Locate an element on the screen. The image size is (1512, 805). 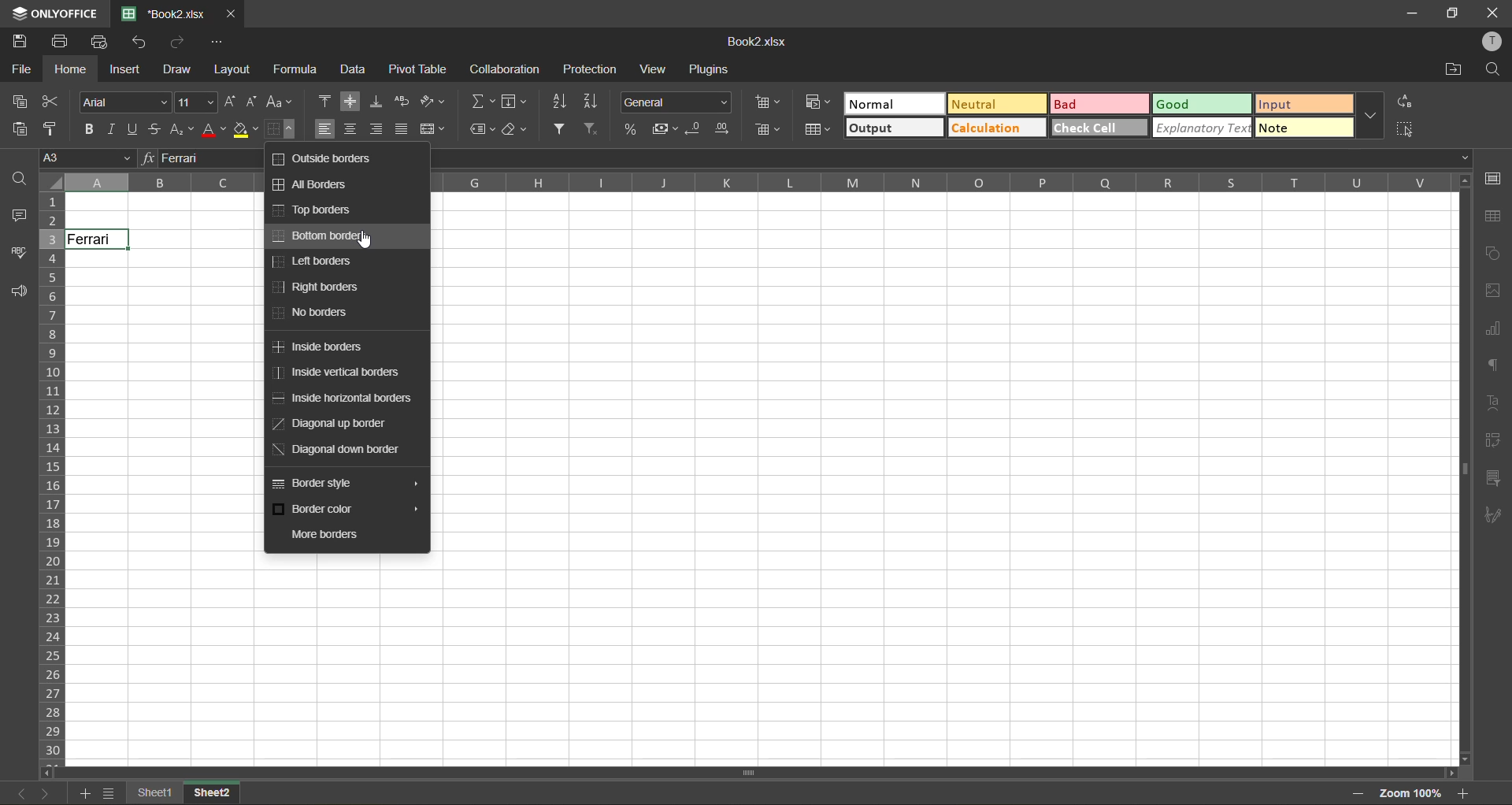
select all is located at coordinates (1403, 130).